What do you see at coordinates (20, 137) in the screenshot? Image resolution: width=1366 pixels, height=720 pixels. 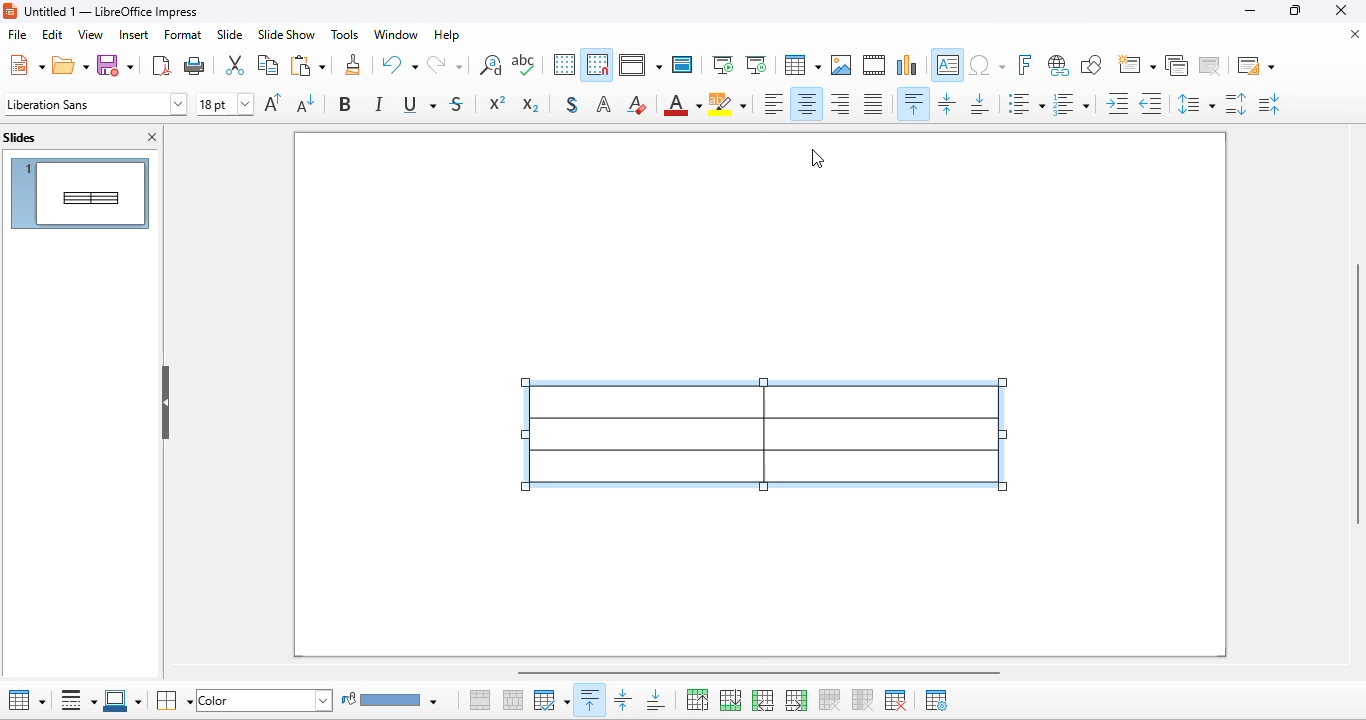 I see `slides` at bounding box center [20, 137].